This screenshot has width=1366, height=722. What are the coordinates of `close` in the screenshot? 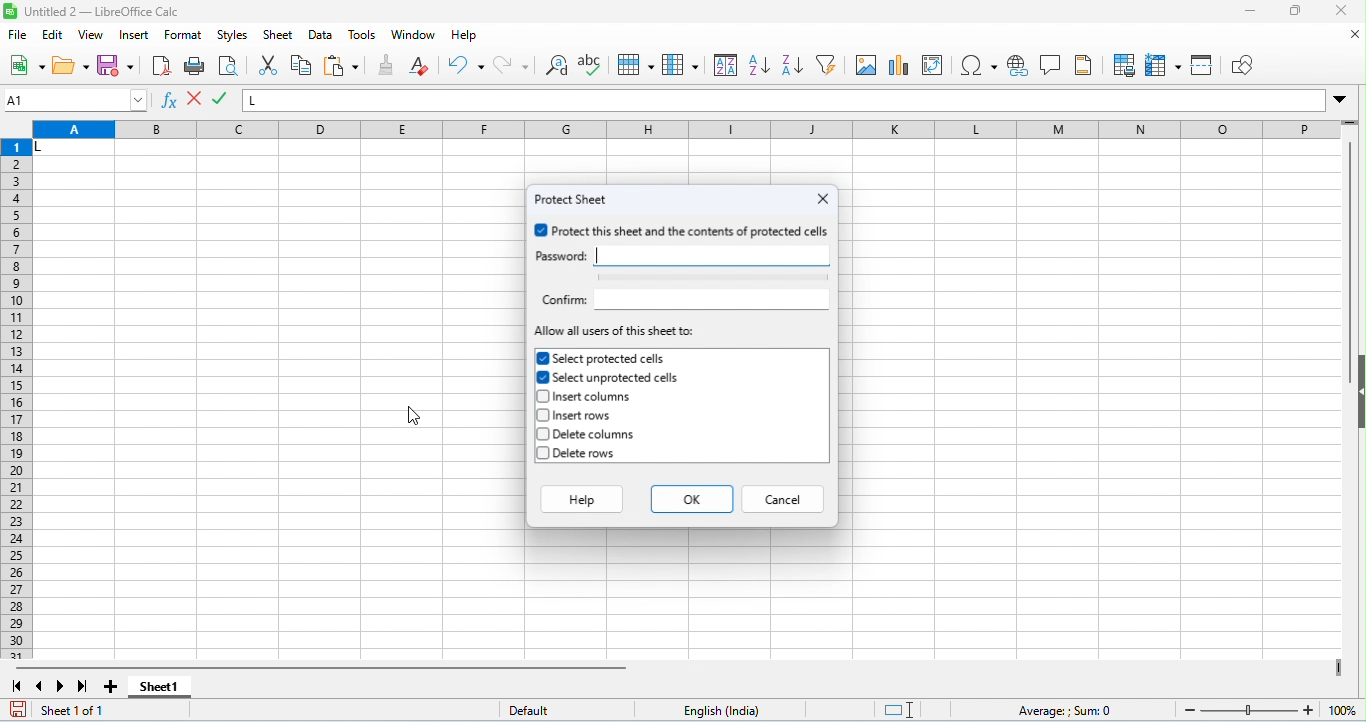 It's located at (823, 198).